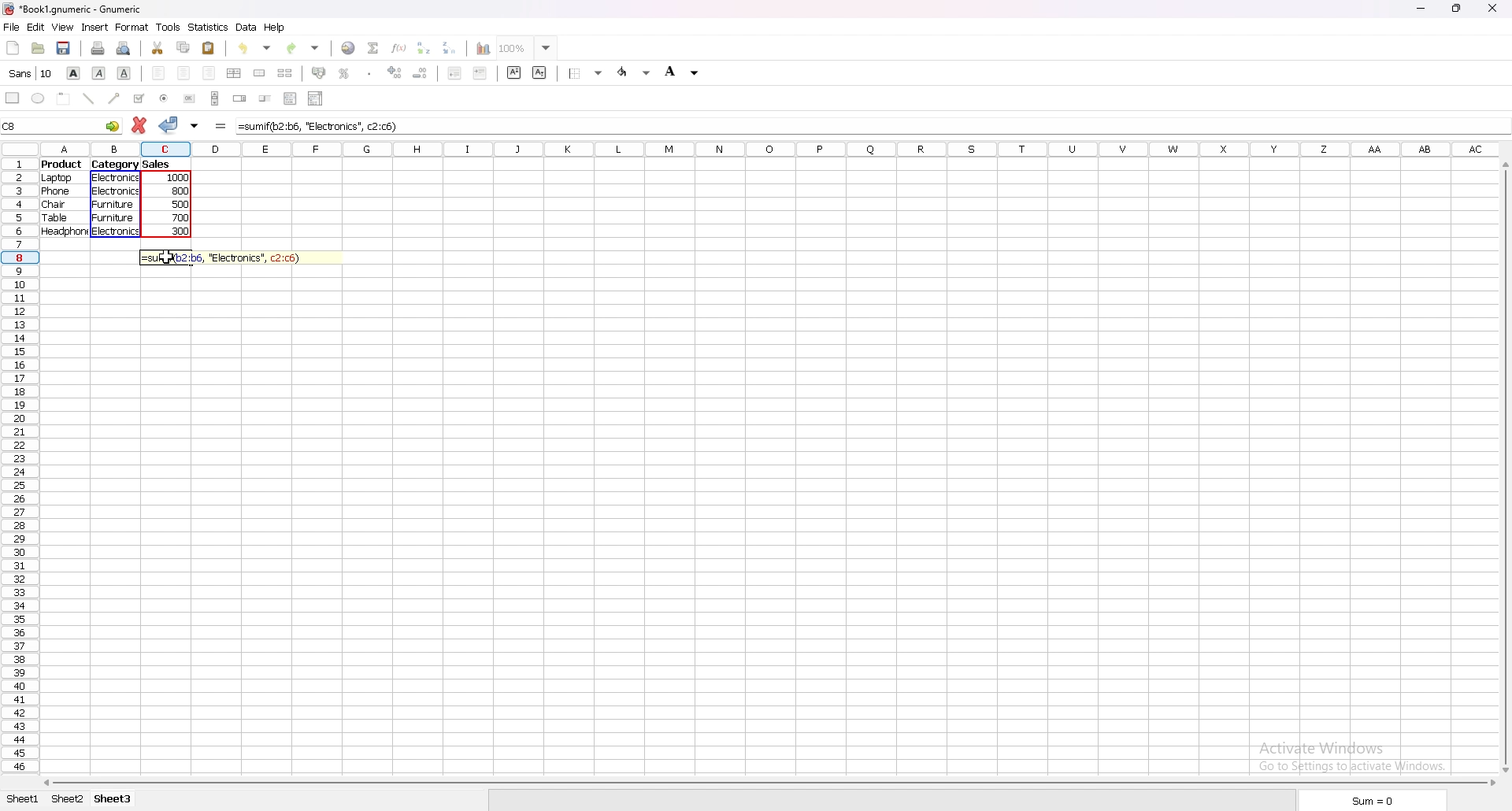  What do you see at coordinates (424, 47) in the screenshot?
I see `sort ascending` at bounding box center [424, 47].